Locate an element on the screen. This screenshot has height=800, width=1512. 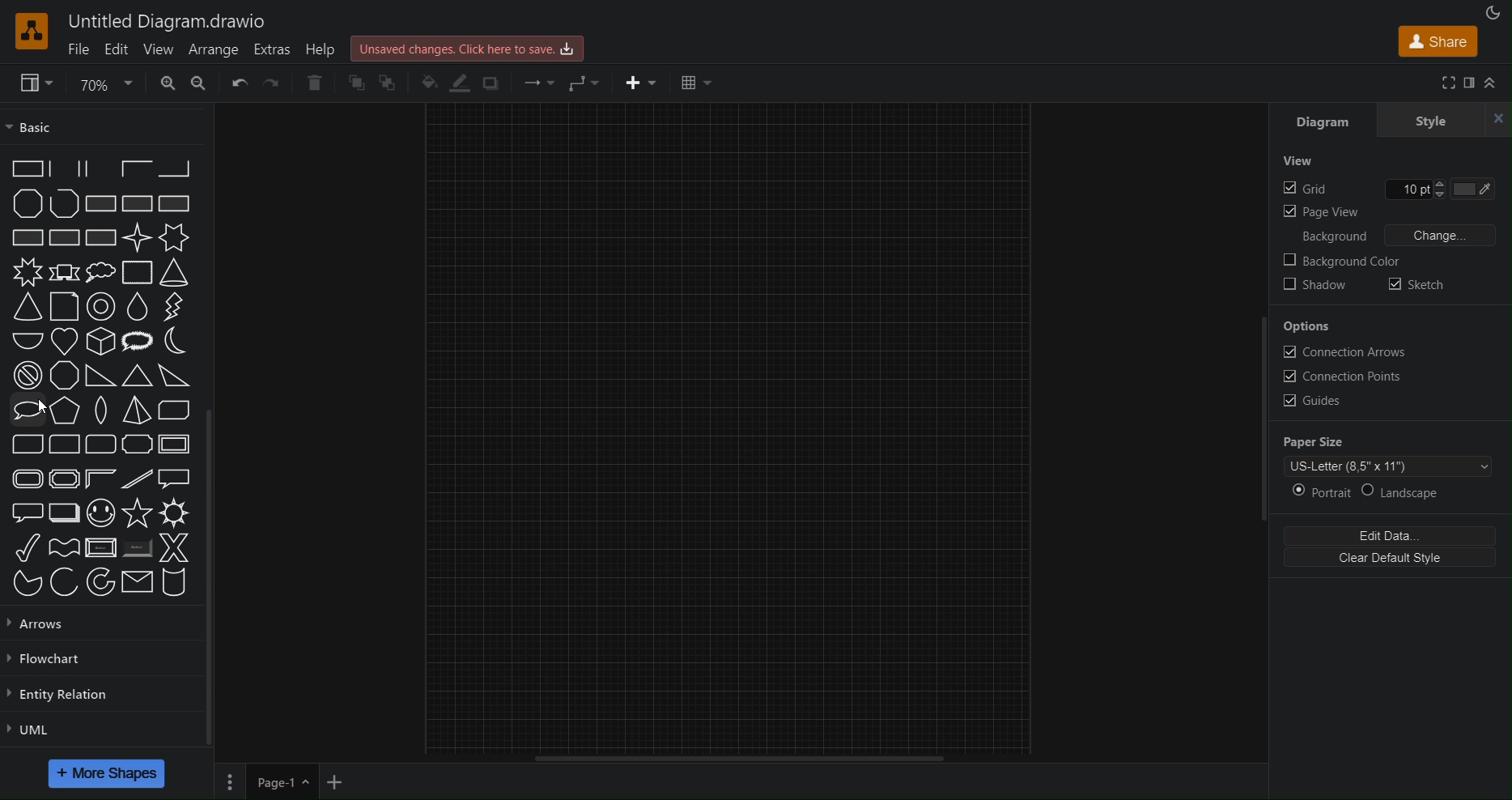
Loud Callout is located at coordinates (138, 341).